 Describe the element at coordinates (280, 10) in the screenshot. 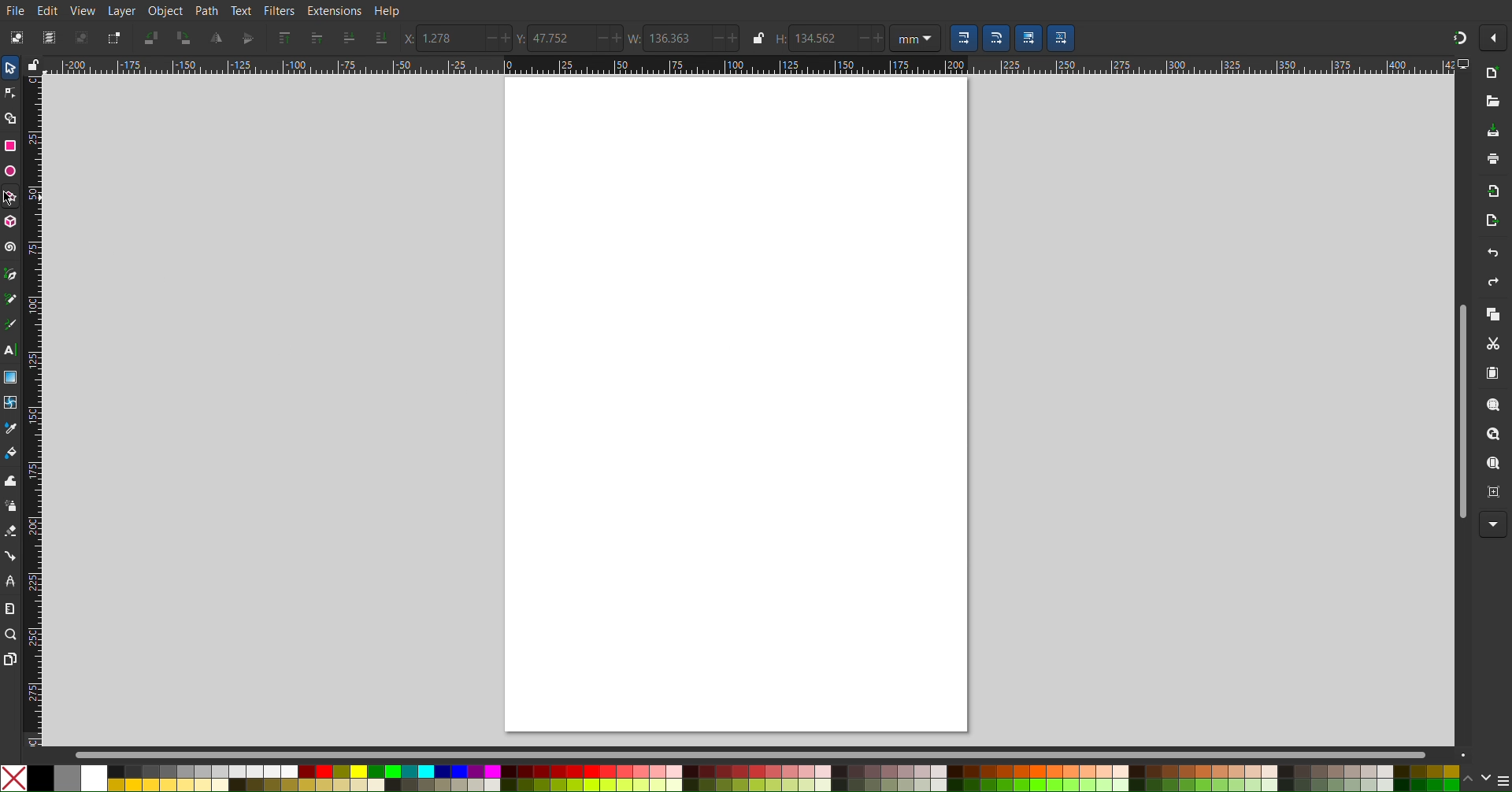

I see `Filters` at that location.